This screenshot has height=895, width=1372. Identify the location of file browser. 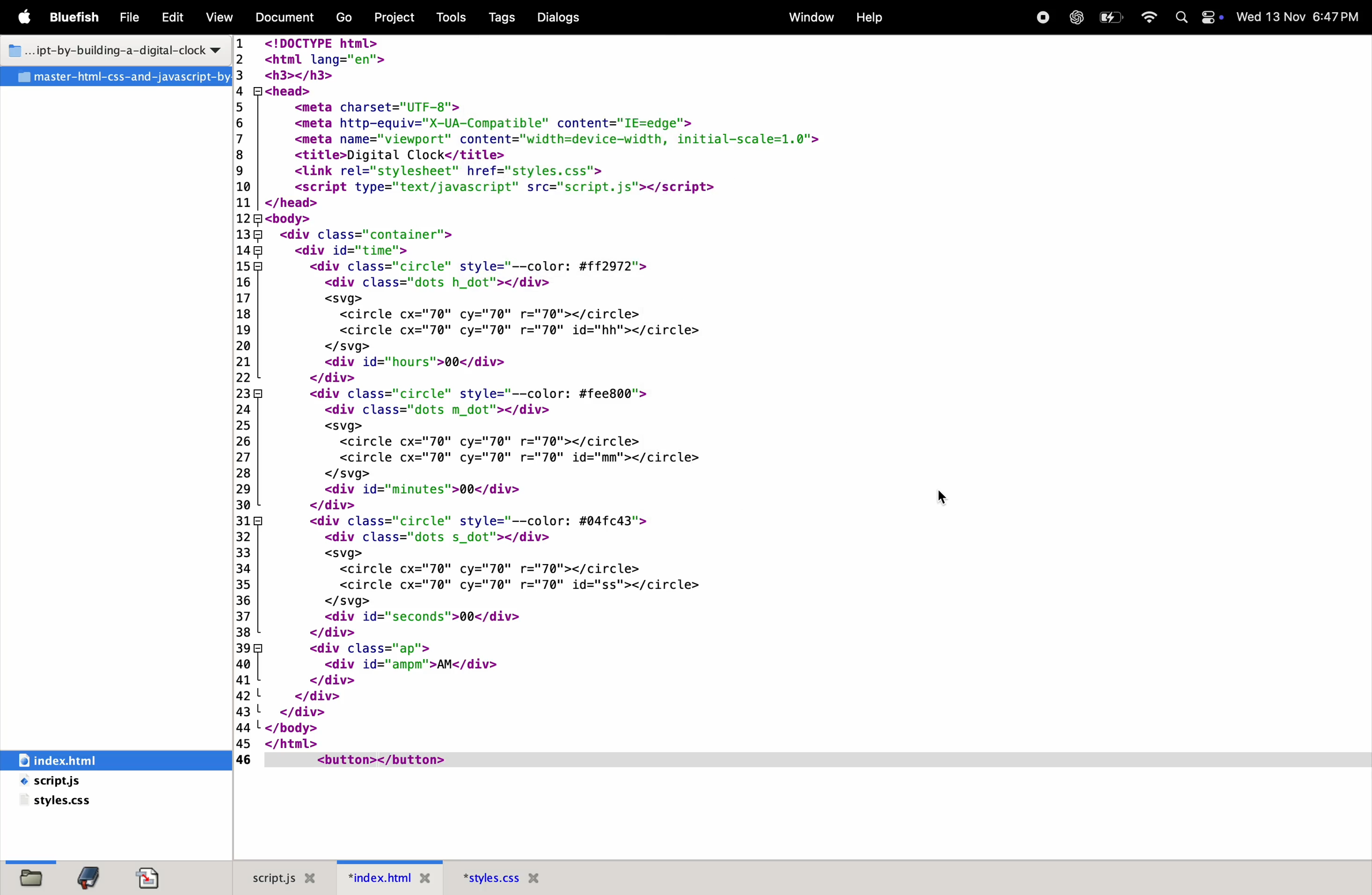
(32, 875).